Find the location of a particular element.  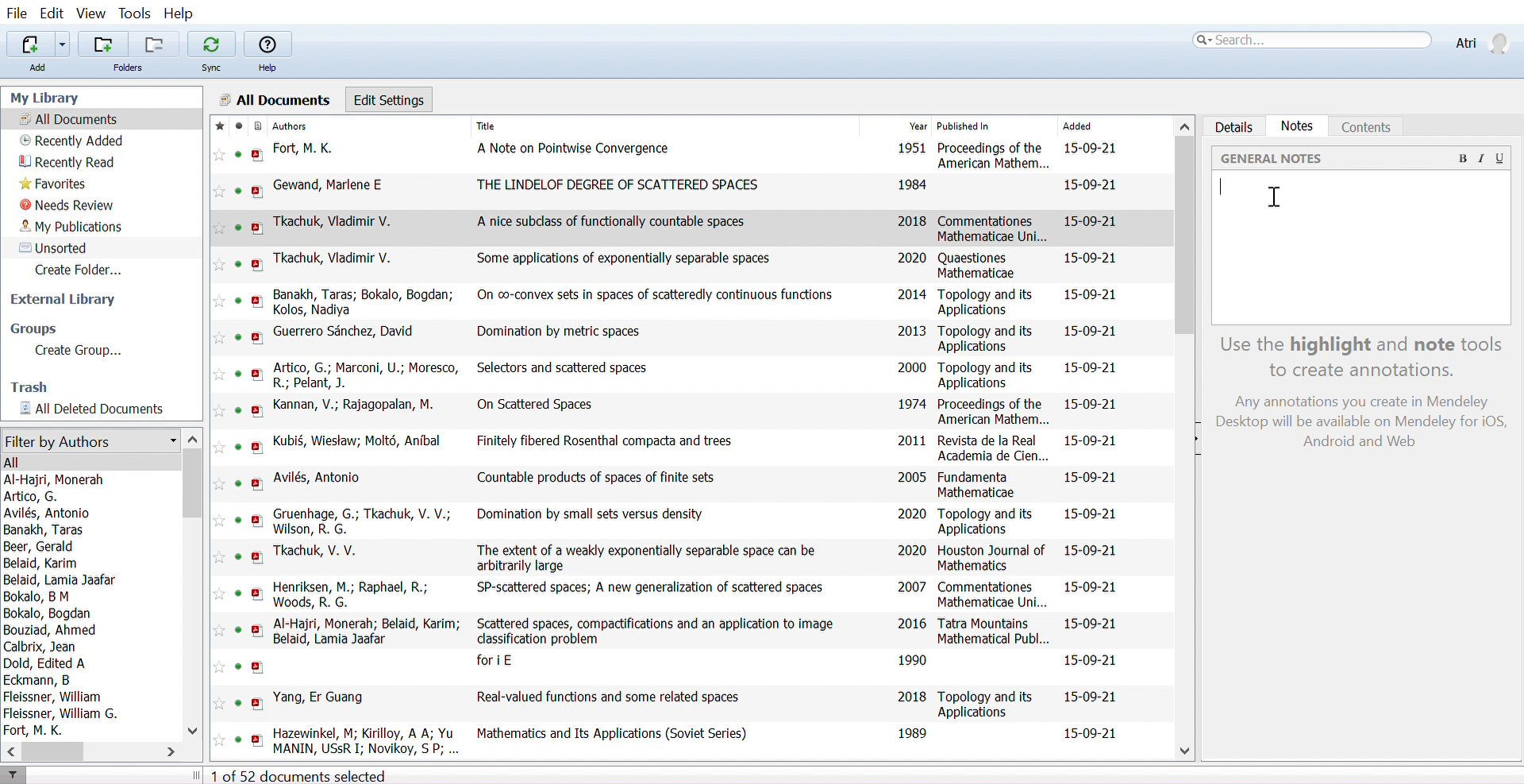

Move up in filter by authors is located at coordinates (192, 437).